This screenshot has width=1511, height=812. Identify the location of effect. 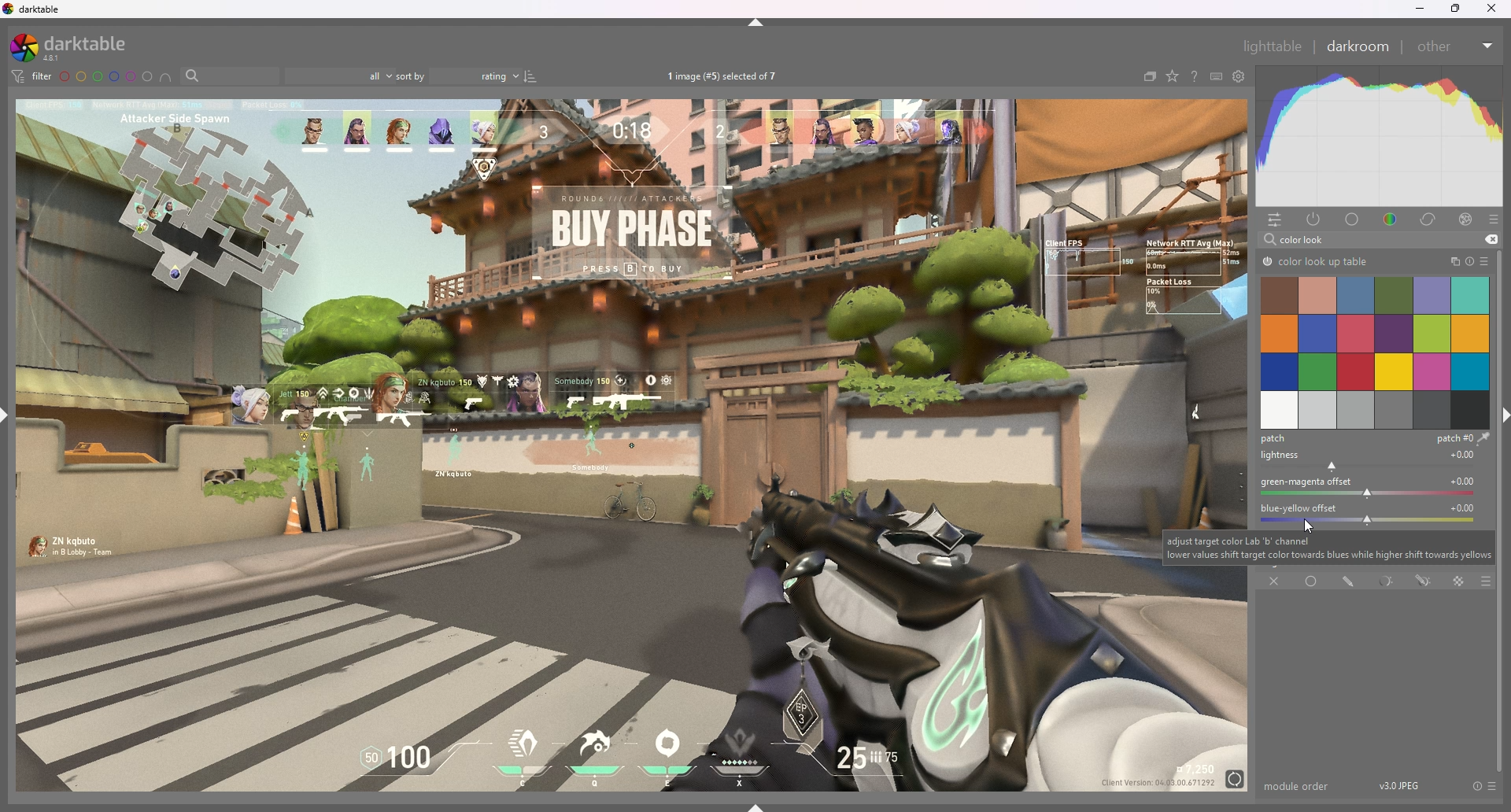
(1467, 218).